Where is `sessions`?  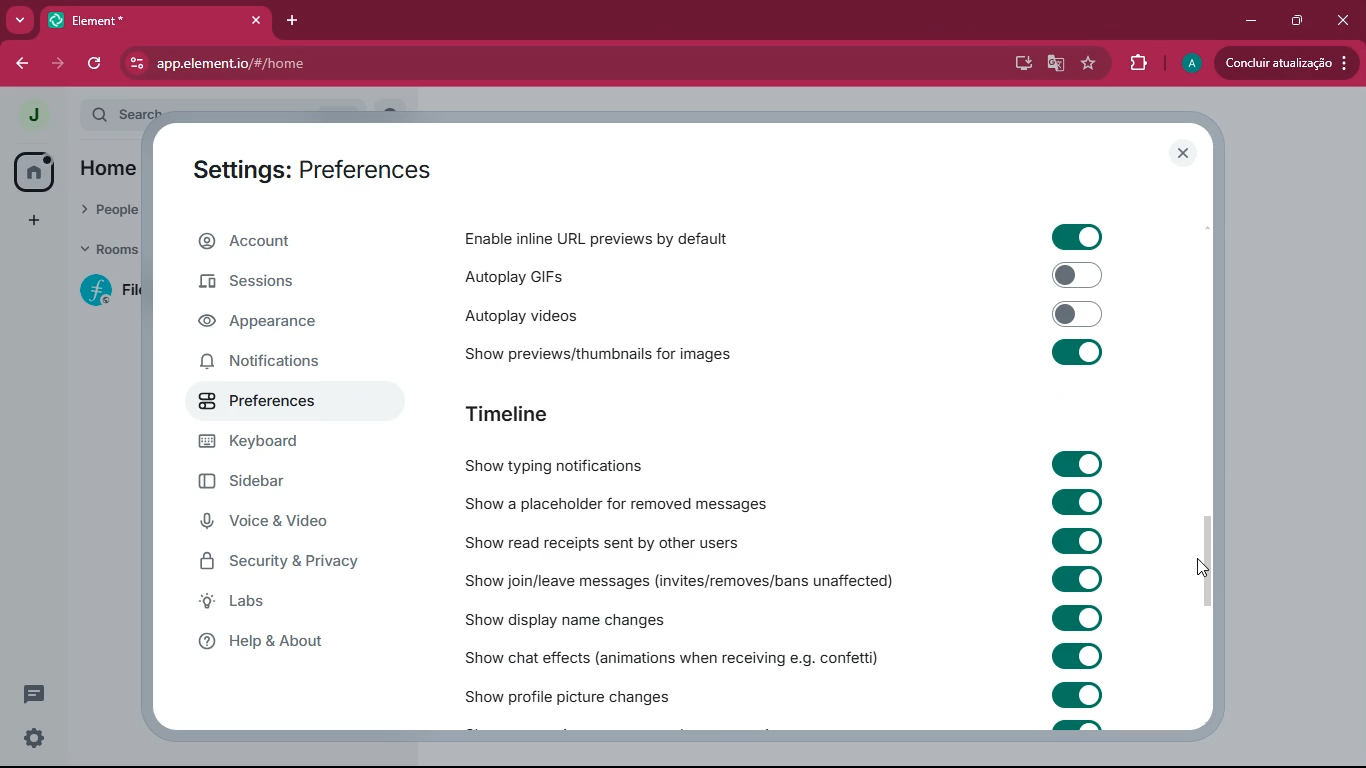 sessions is located at coordinates (273, 287).